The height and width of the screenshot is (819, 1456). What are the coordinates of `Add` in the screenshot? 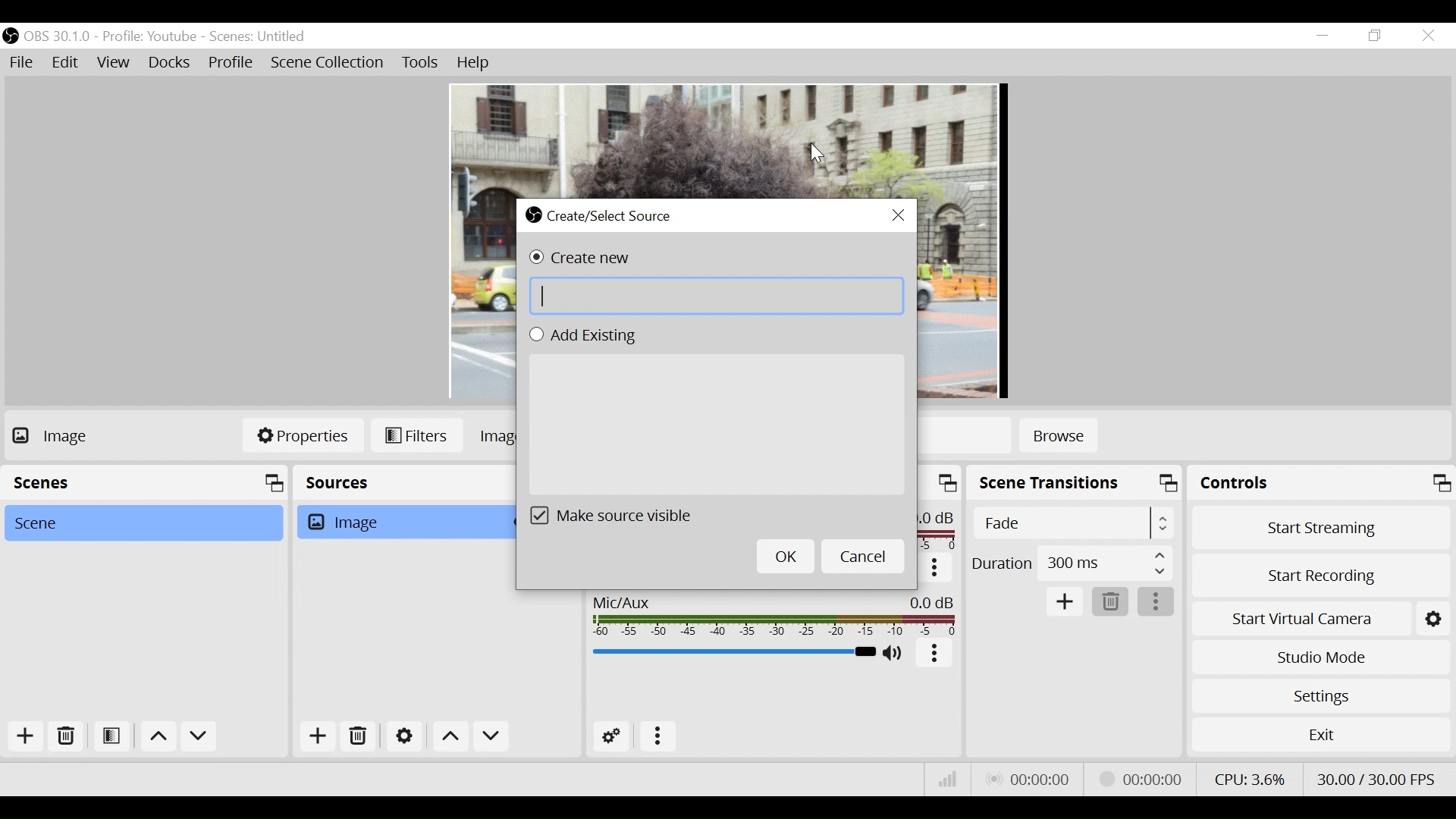 It's located at (31, 737).